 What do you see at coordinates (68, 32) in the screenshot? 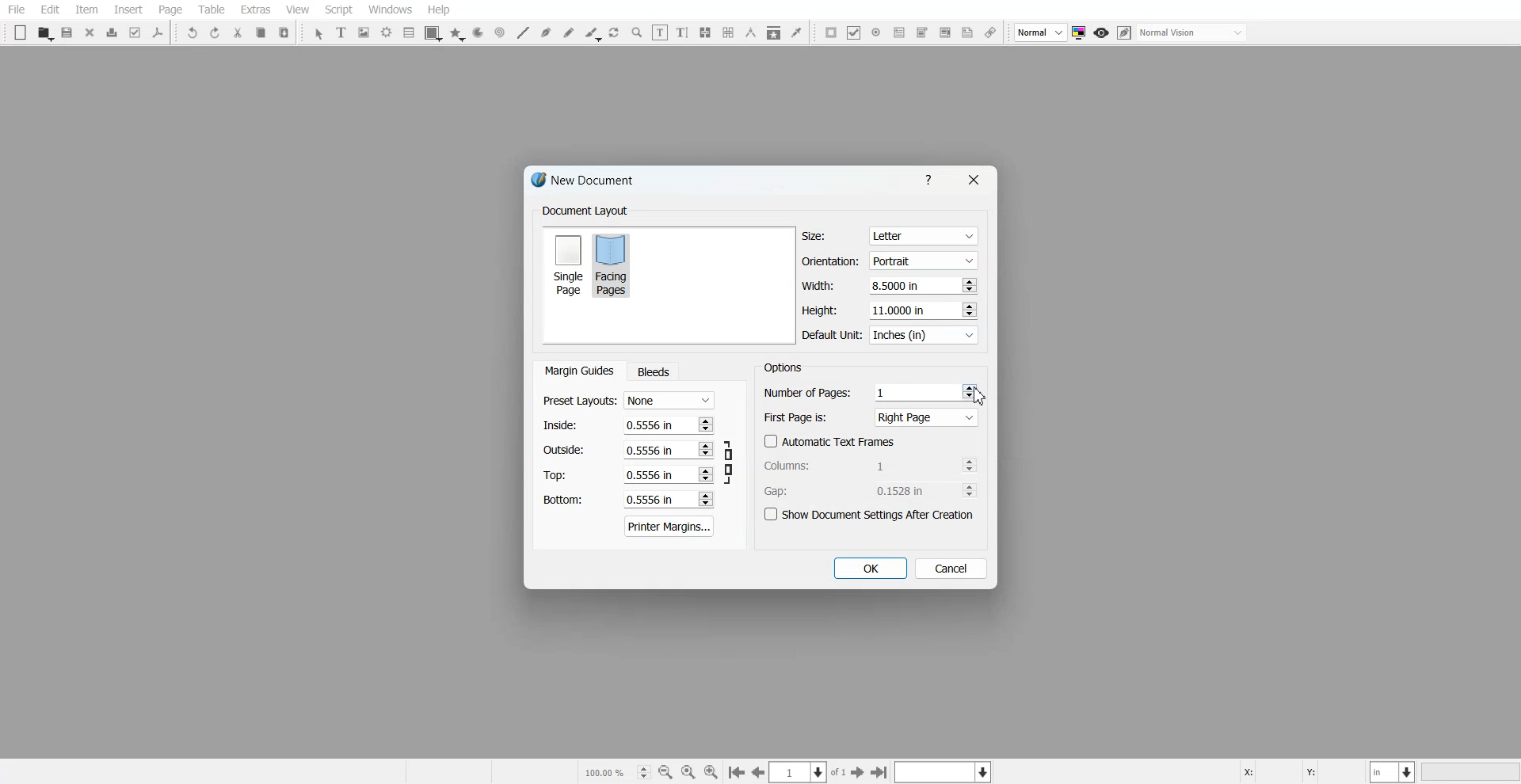
I see `Save` at bounding box center [68, 32].